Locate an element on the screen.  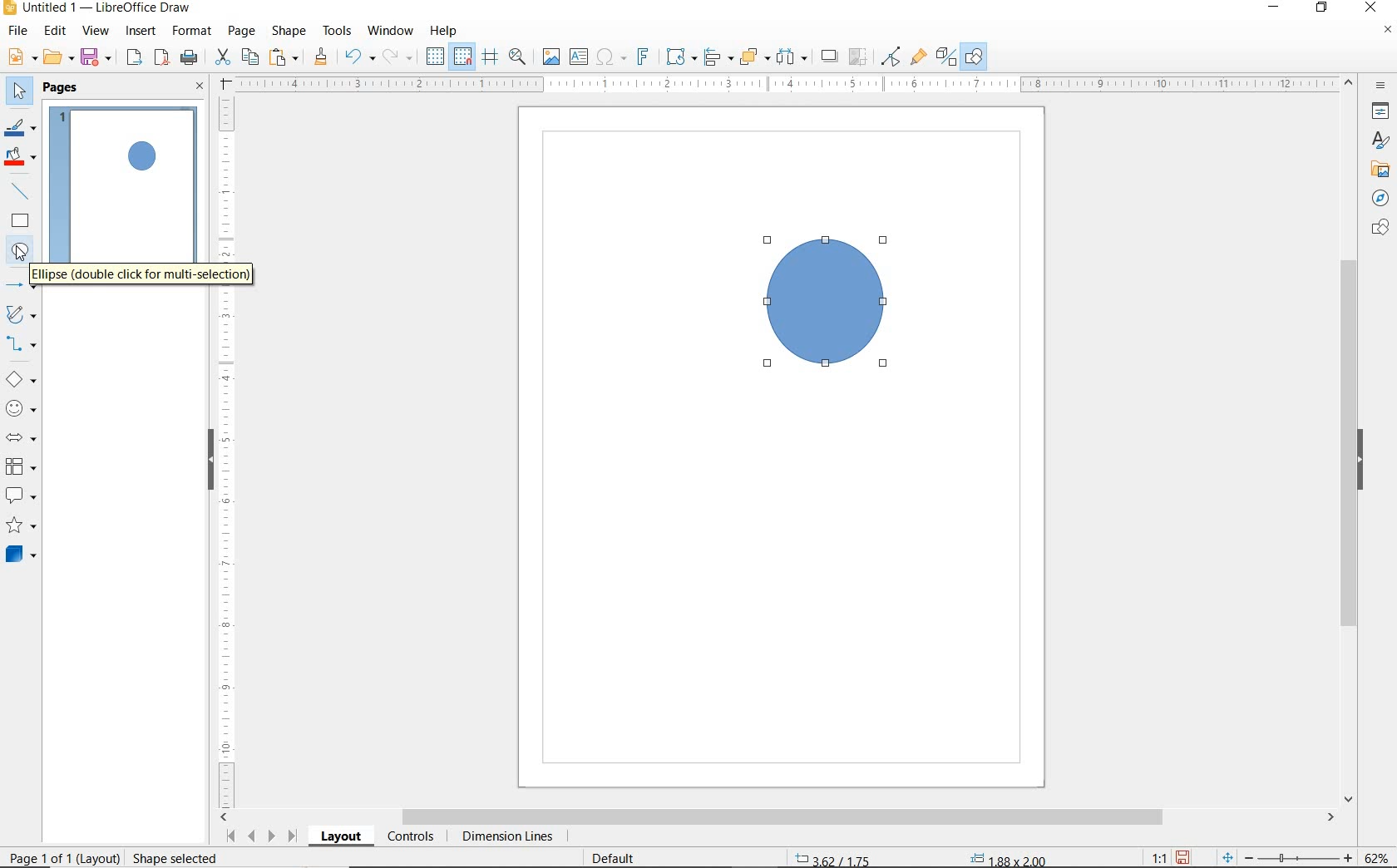
STANDARD SELECTION is located at coordinates (921, 854).